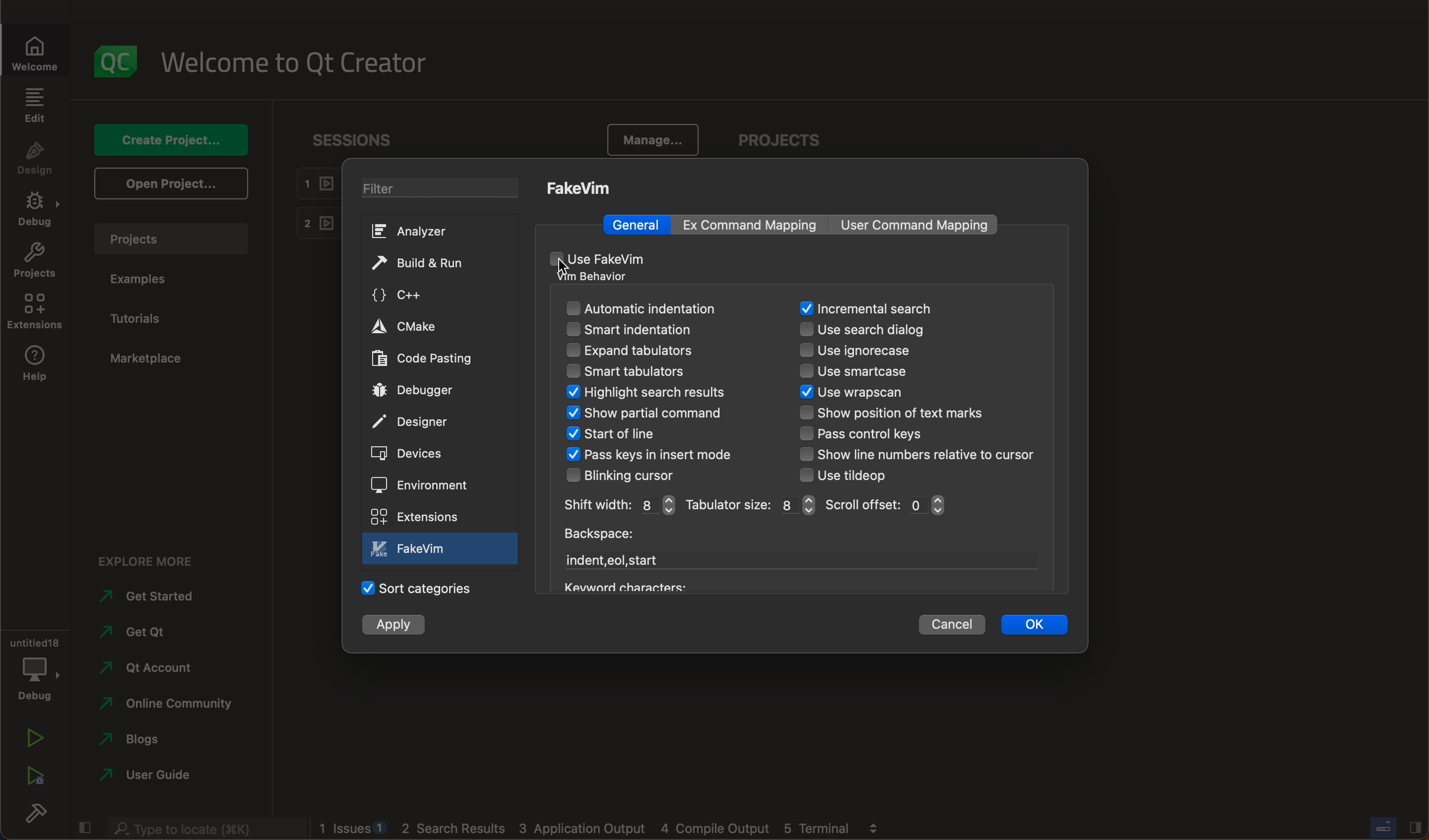 The height and width of the screenshot is (840, 1429). I want to click on categories, so click(419, 587).